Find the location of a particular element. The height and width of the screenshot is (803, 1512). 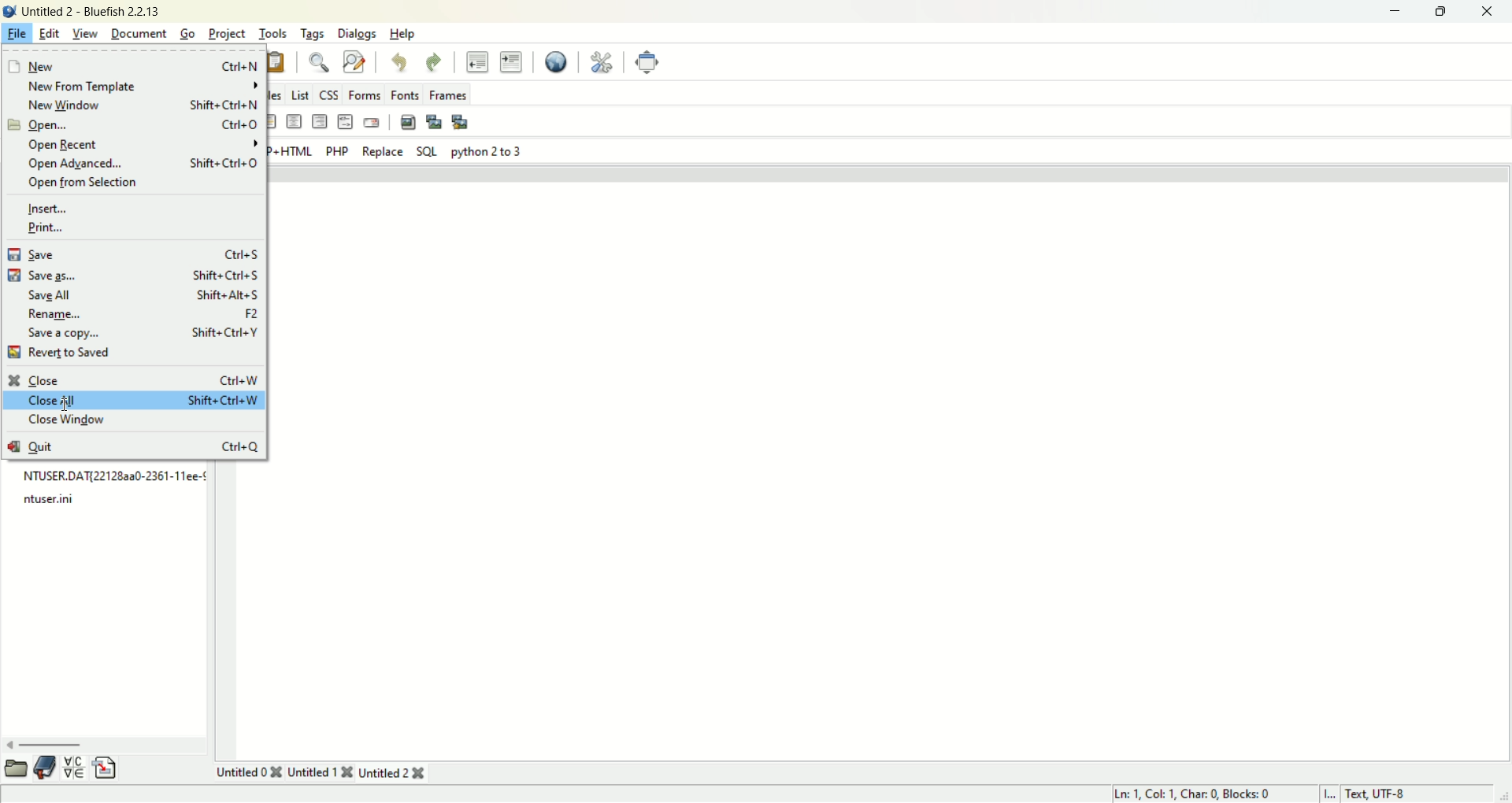

ntuser.ini is located at coordinates (47, 499).